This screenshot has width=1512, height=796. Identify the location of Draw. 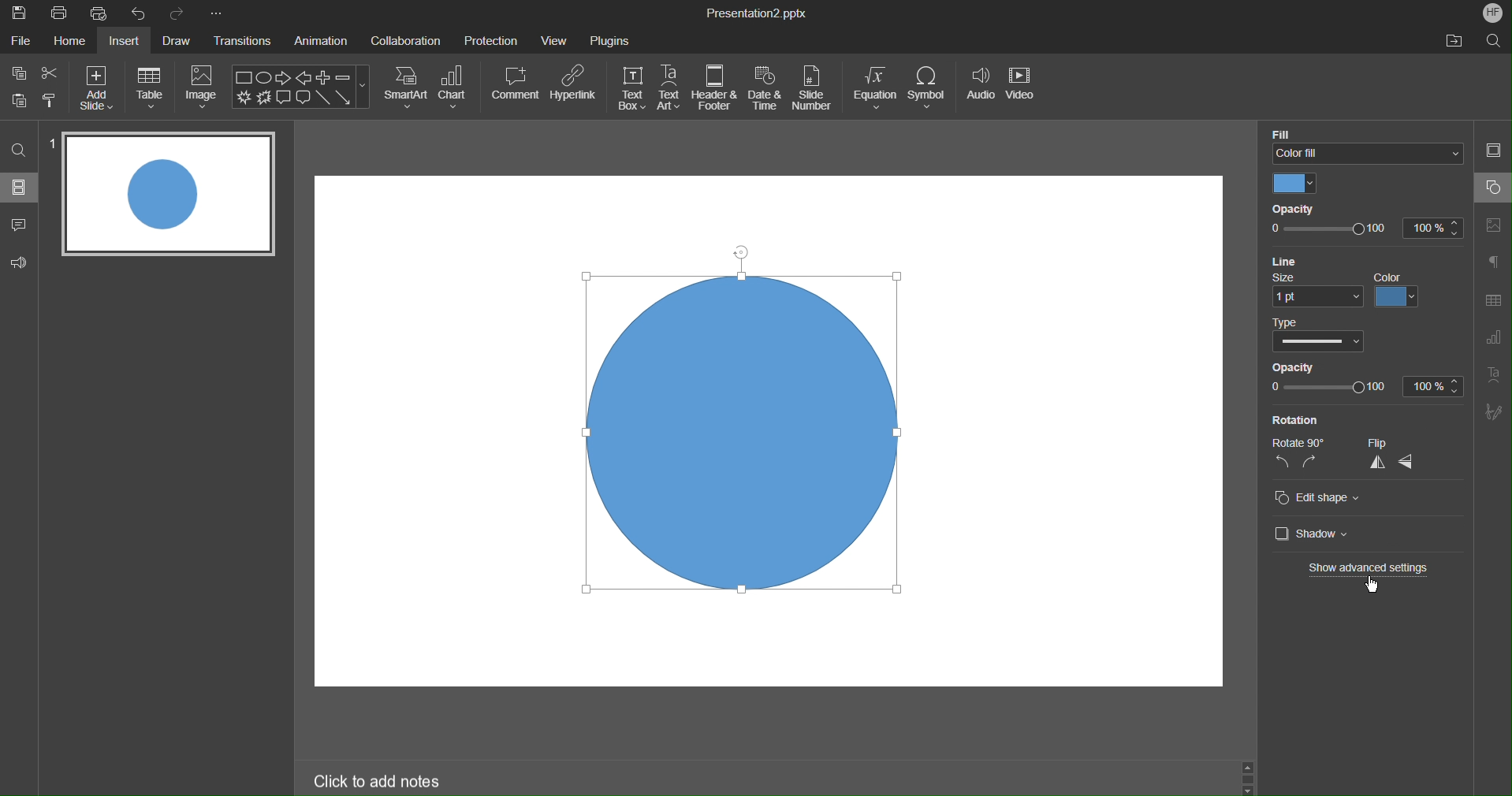
(180, 41).